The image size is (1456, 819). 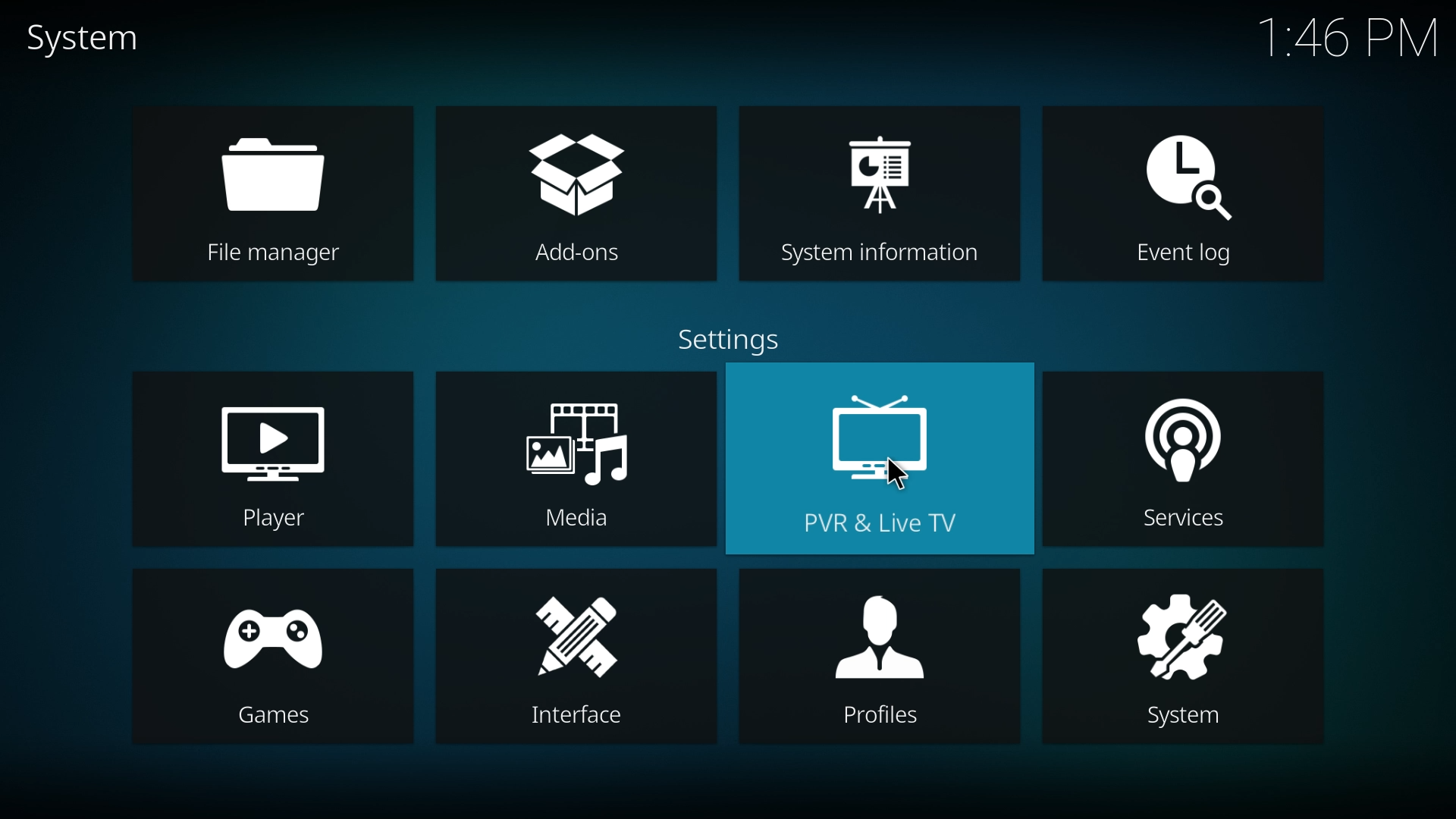 I want to click on media, so click(x=578, y=458).